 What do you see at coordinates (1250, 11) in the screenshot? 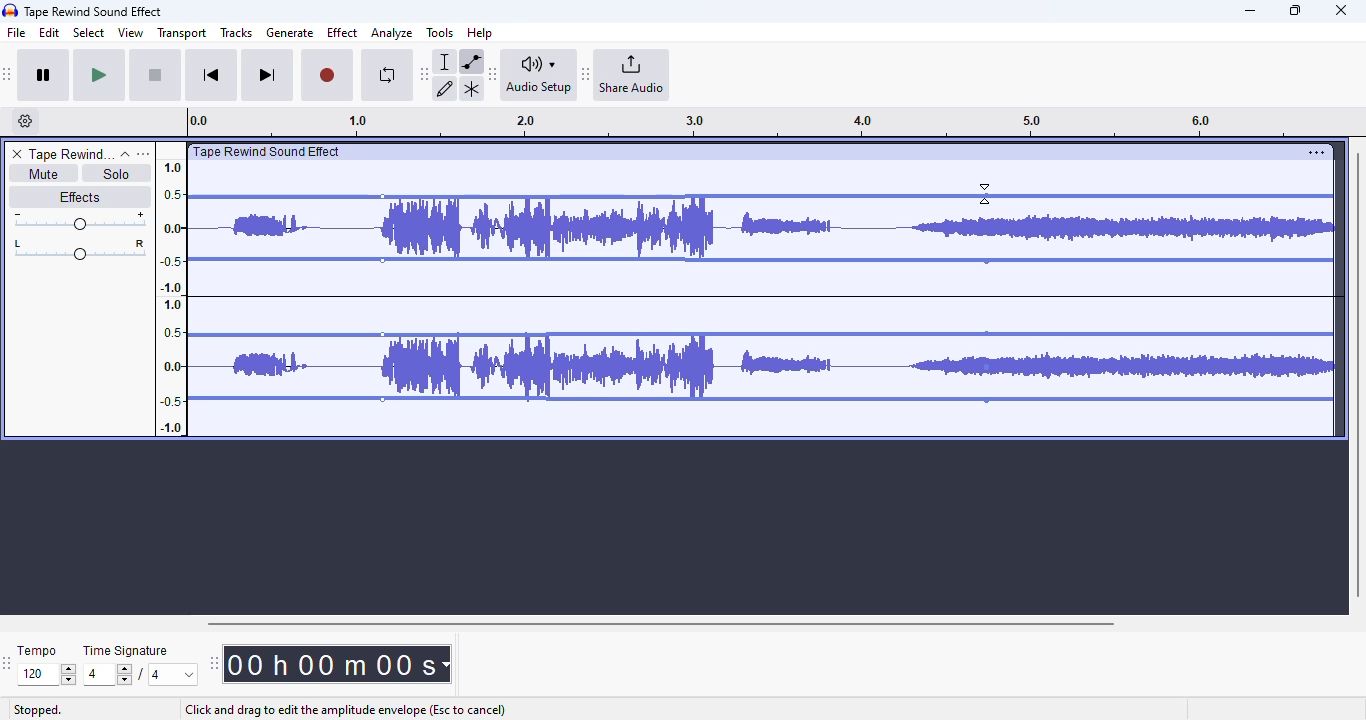
I see `minimize` at bounding box center [1250, 11].